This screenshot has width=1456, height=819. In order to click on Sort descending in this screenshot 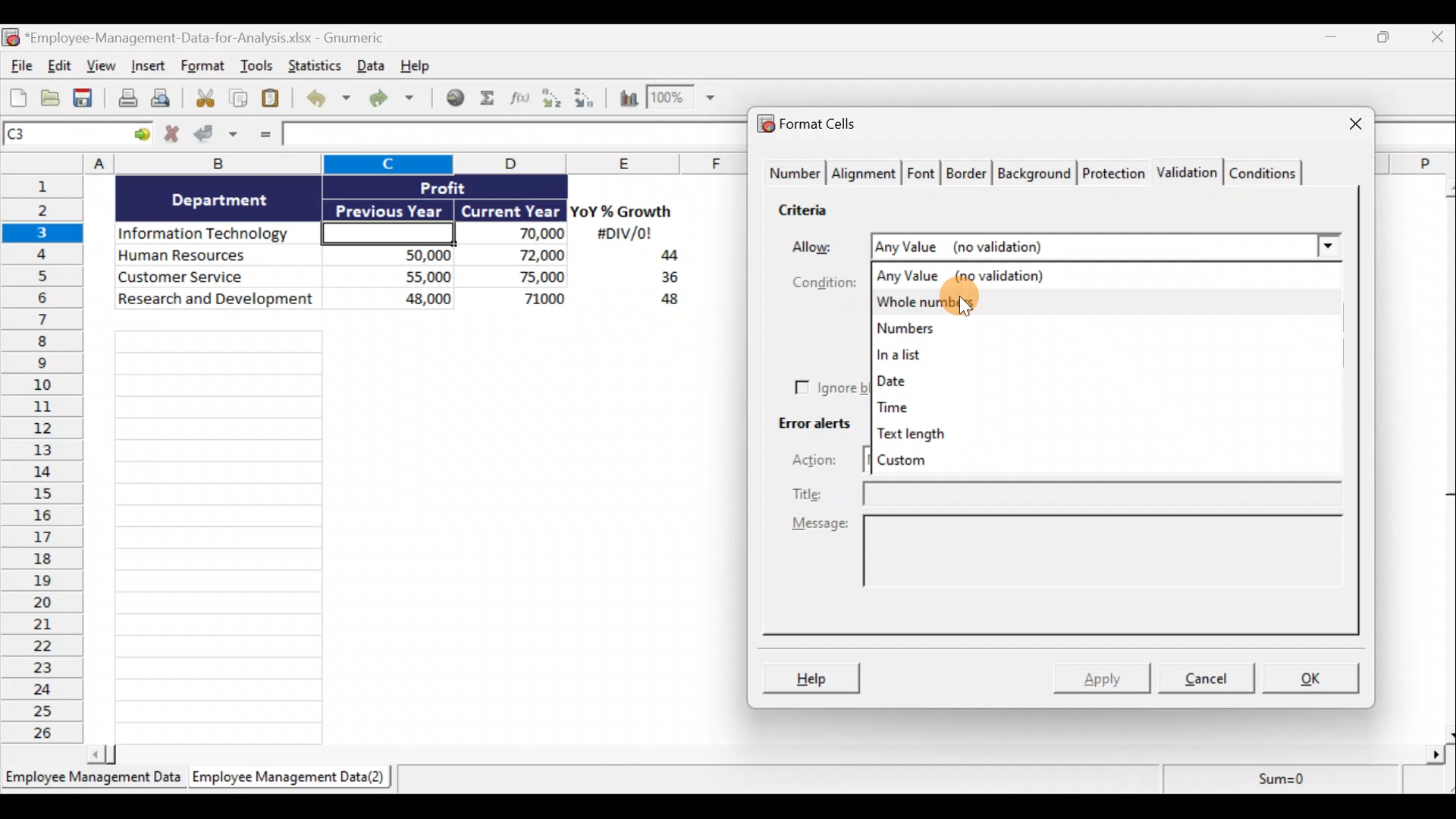, I will do `click(582, 96)`.